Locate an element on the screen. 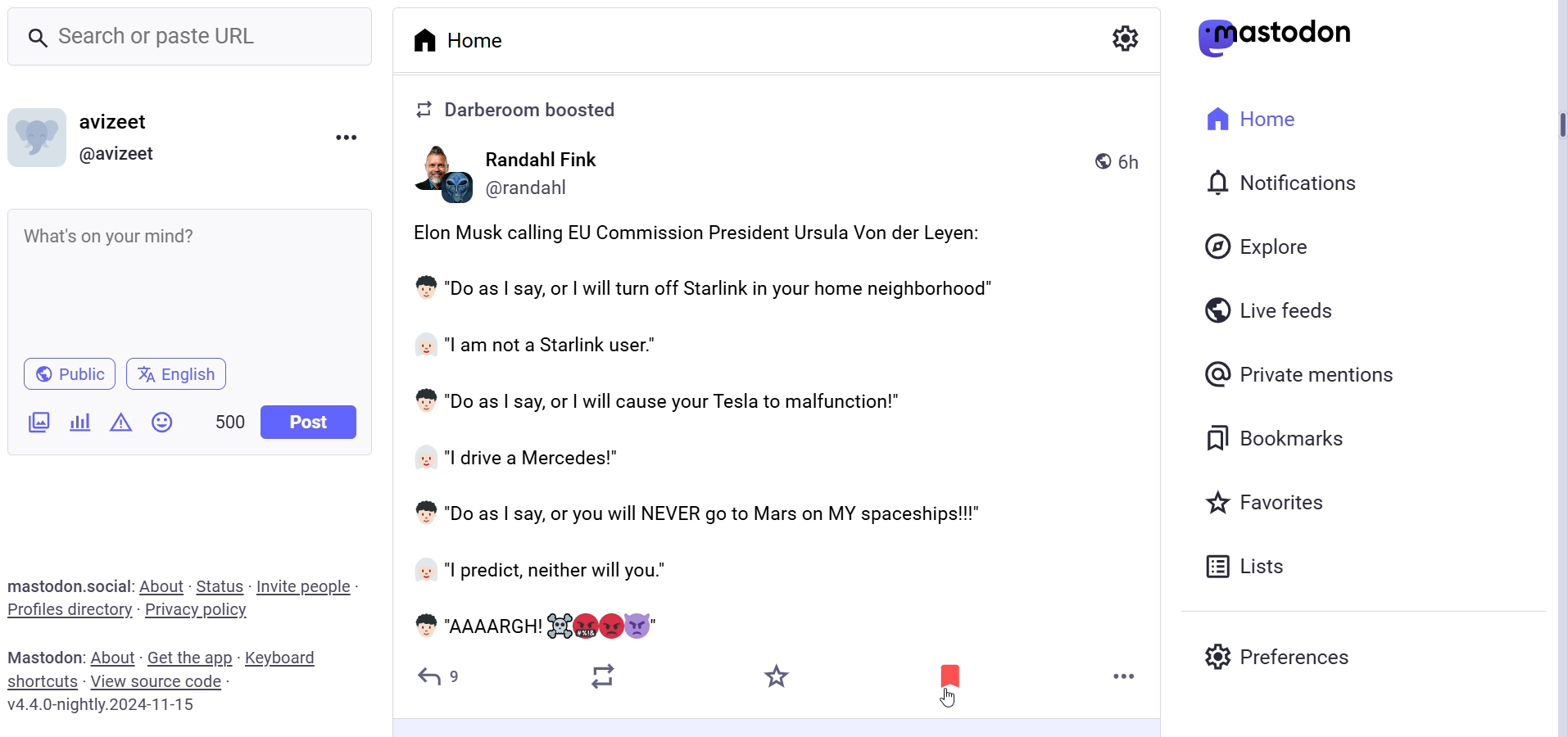 This screenshot has width=1568, height=737. View Source Code is located at coordinates (159, 681).